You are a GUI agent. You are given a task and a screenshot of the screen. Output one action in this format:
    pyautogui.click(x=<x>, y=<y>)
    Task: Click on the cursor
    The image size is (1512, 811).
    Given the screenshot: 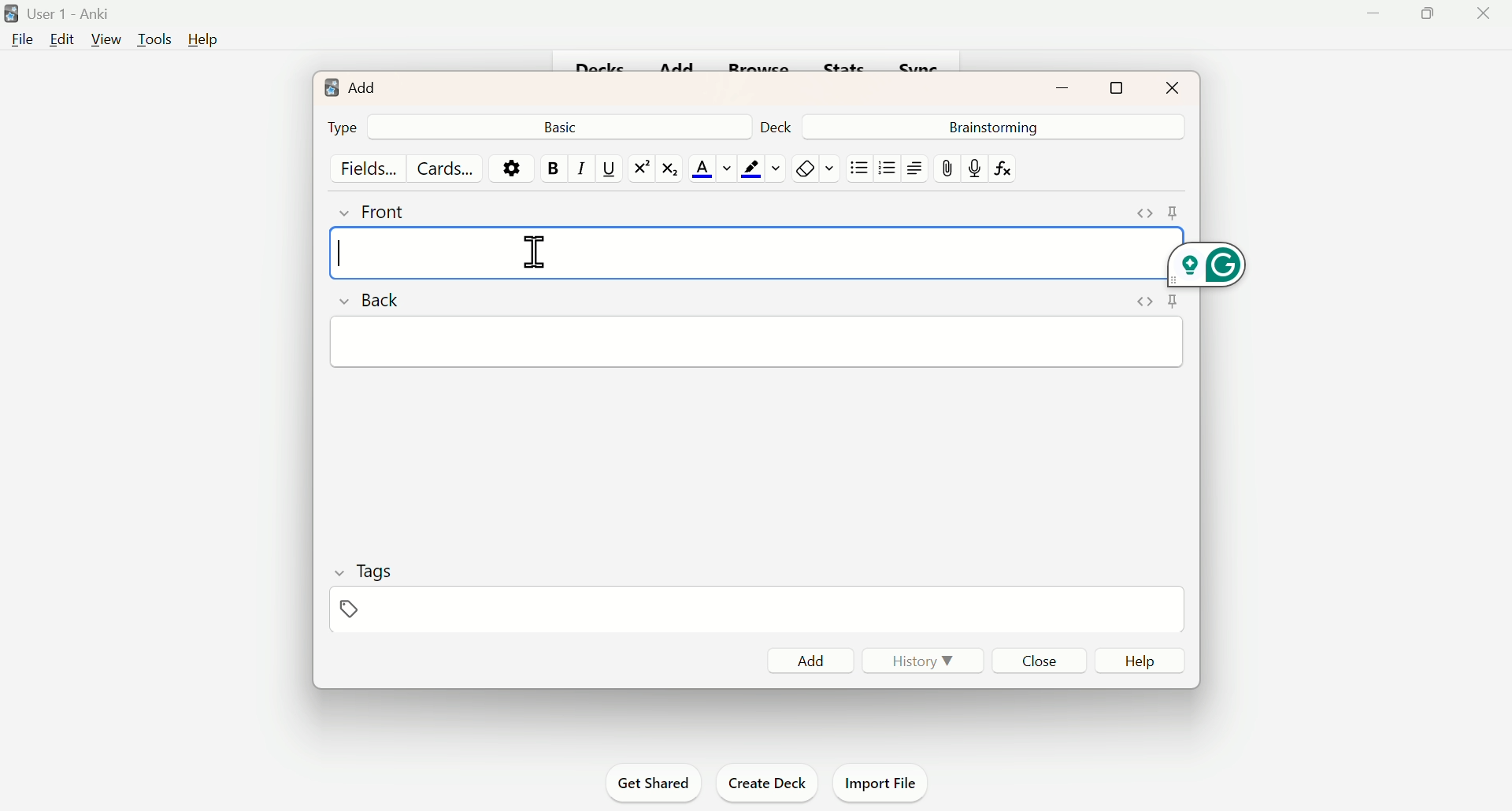 What is the action you would take?
    pyautogui.click(x=528, y=251)
    